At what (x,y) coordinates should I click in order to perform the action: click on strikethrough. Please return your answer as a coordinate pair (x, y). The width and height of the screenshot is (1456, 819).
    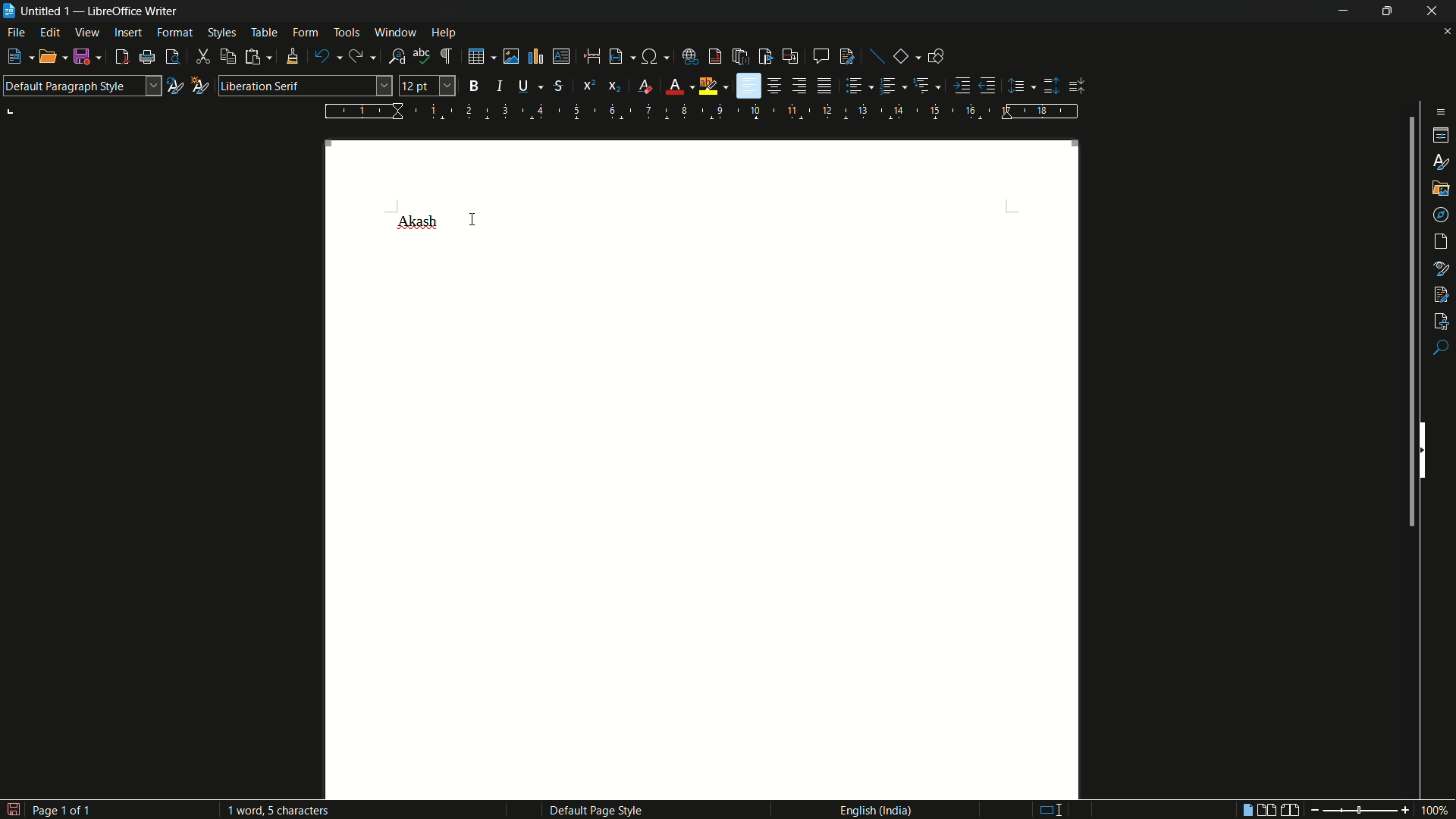
    Looking at the image, I should click on (557, 86).